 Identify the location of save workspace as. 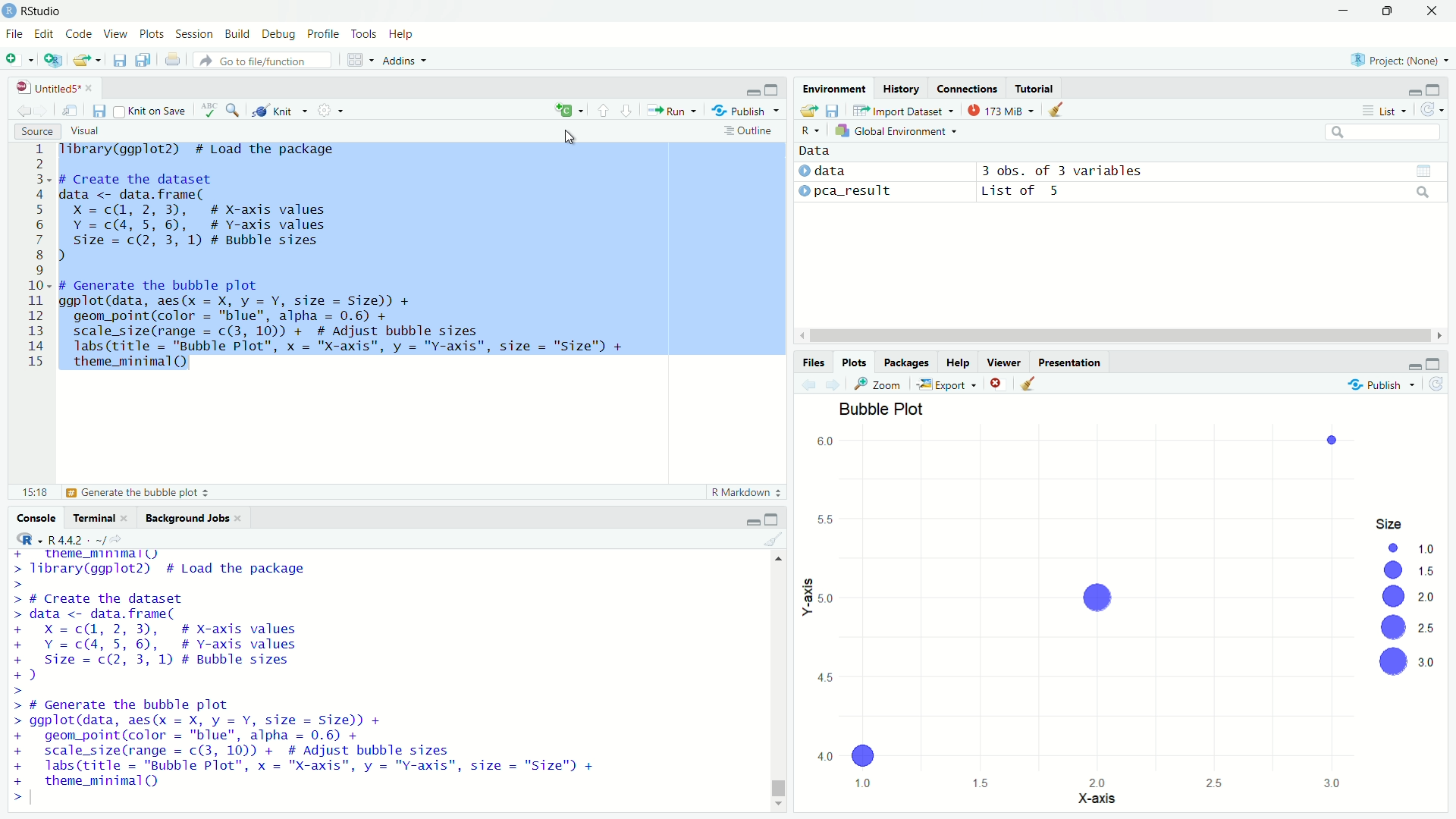
(833, 110).